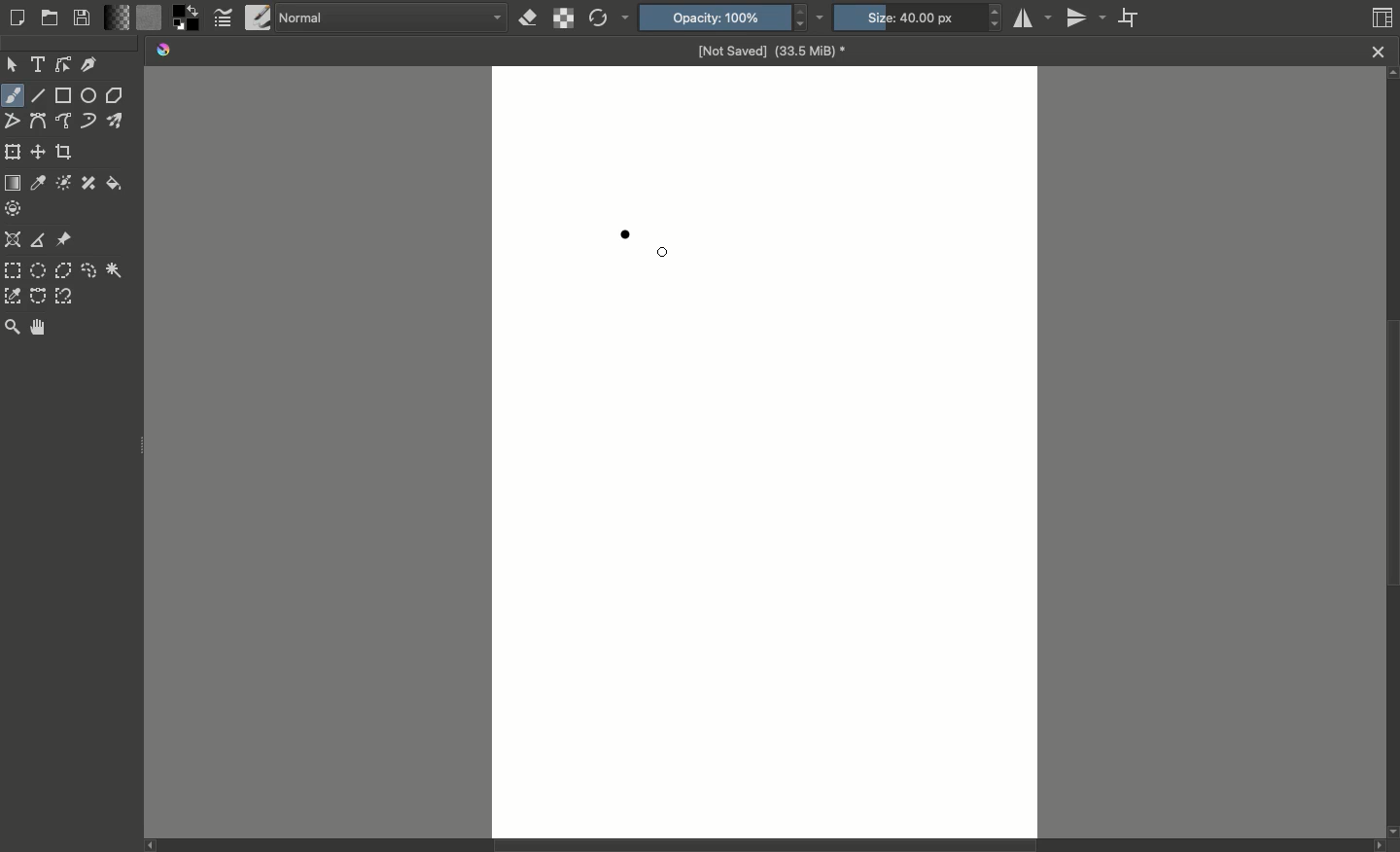 This screenshot has height=852, width=1400. I want to click on Normal, so click(391, 19).